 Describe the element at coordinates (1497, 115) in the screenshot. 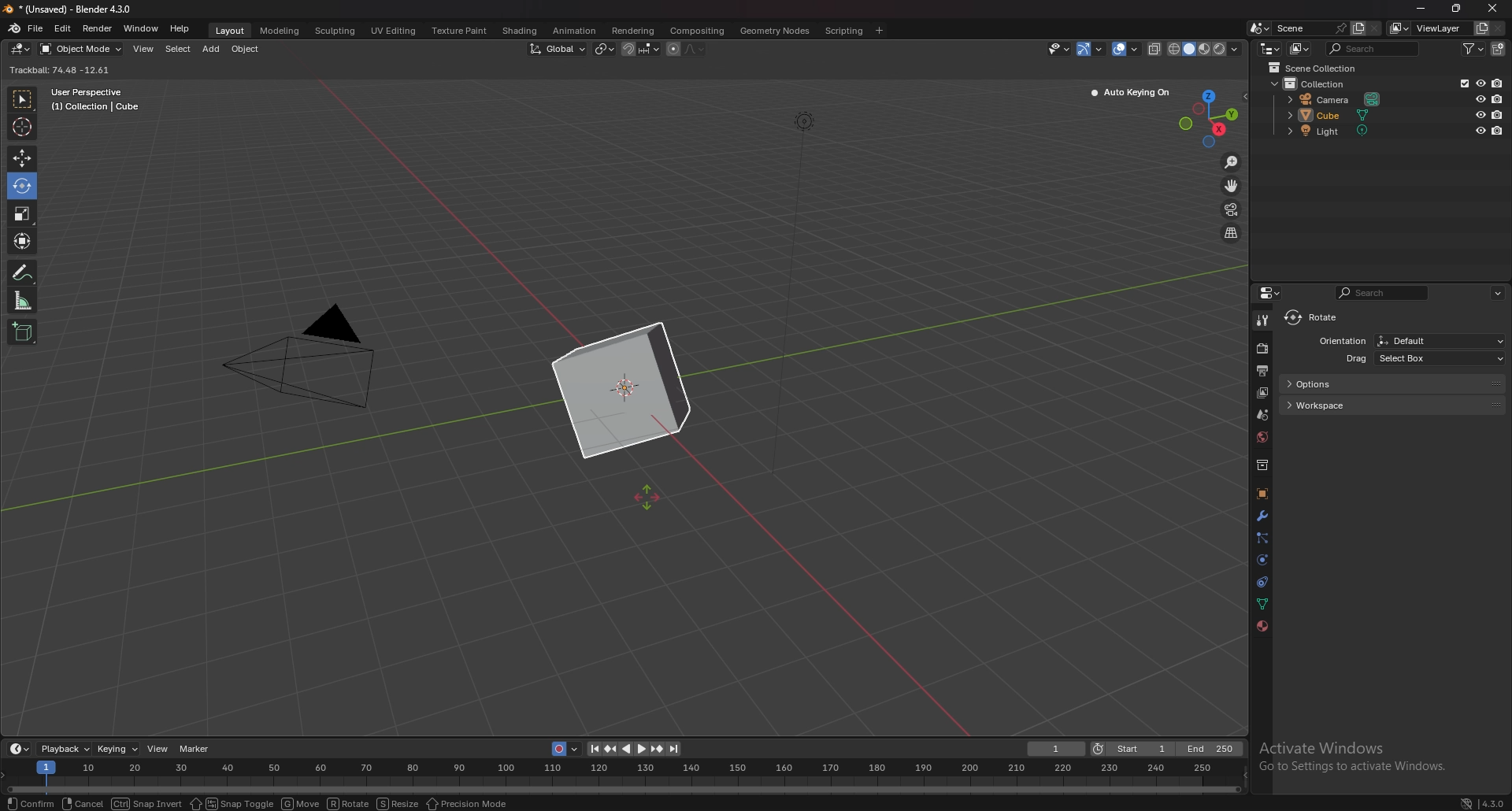

I see `disable in render` at that location.